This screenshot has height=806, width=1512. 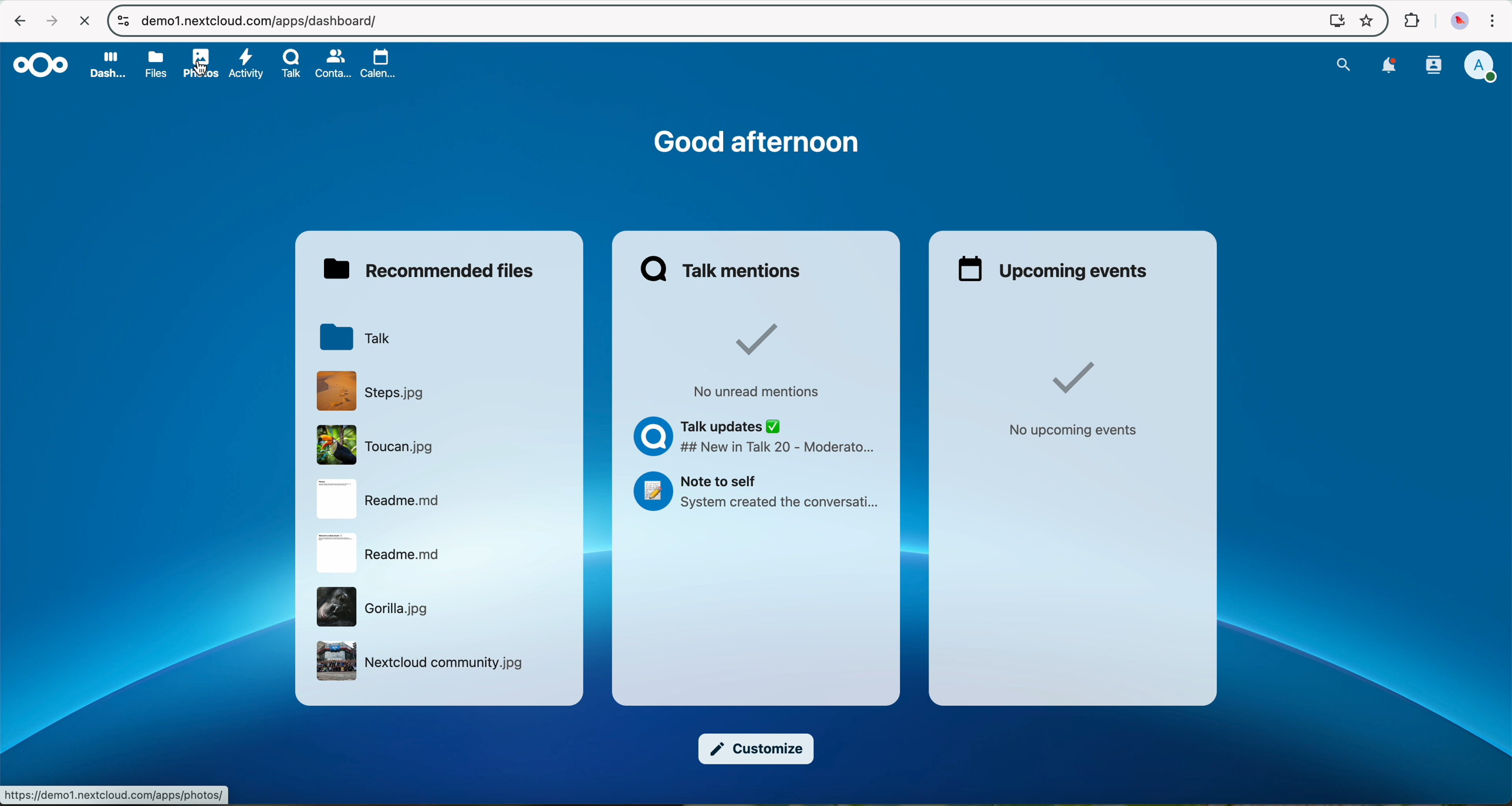 What do you see at coordinates (378, 62) in the screenshot?
I see `calendar` at bounding box center [378, 62].